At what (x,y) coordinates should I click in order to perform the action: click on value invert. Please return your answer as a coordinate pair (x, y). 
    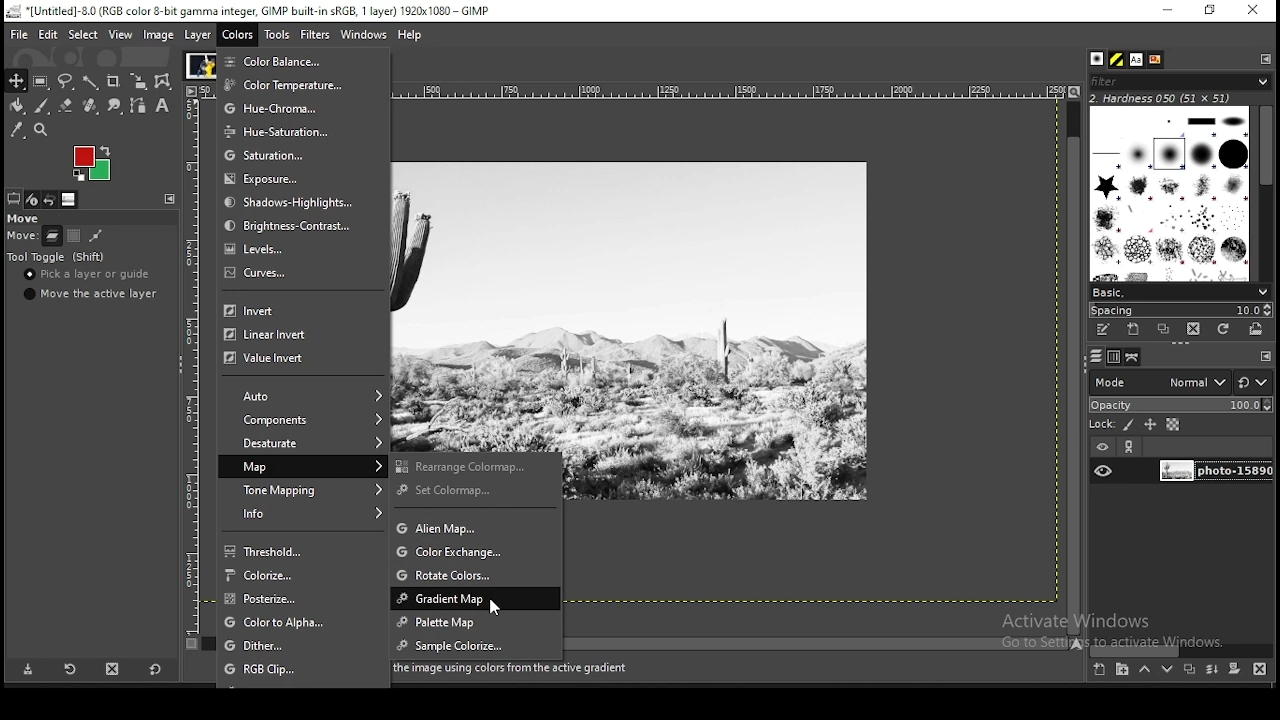
    Looking at the image, I should click on (293, 361).